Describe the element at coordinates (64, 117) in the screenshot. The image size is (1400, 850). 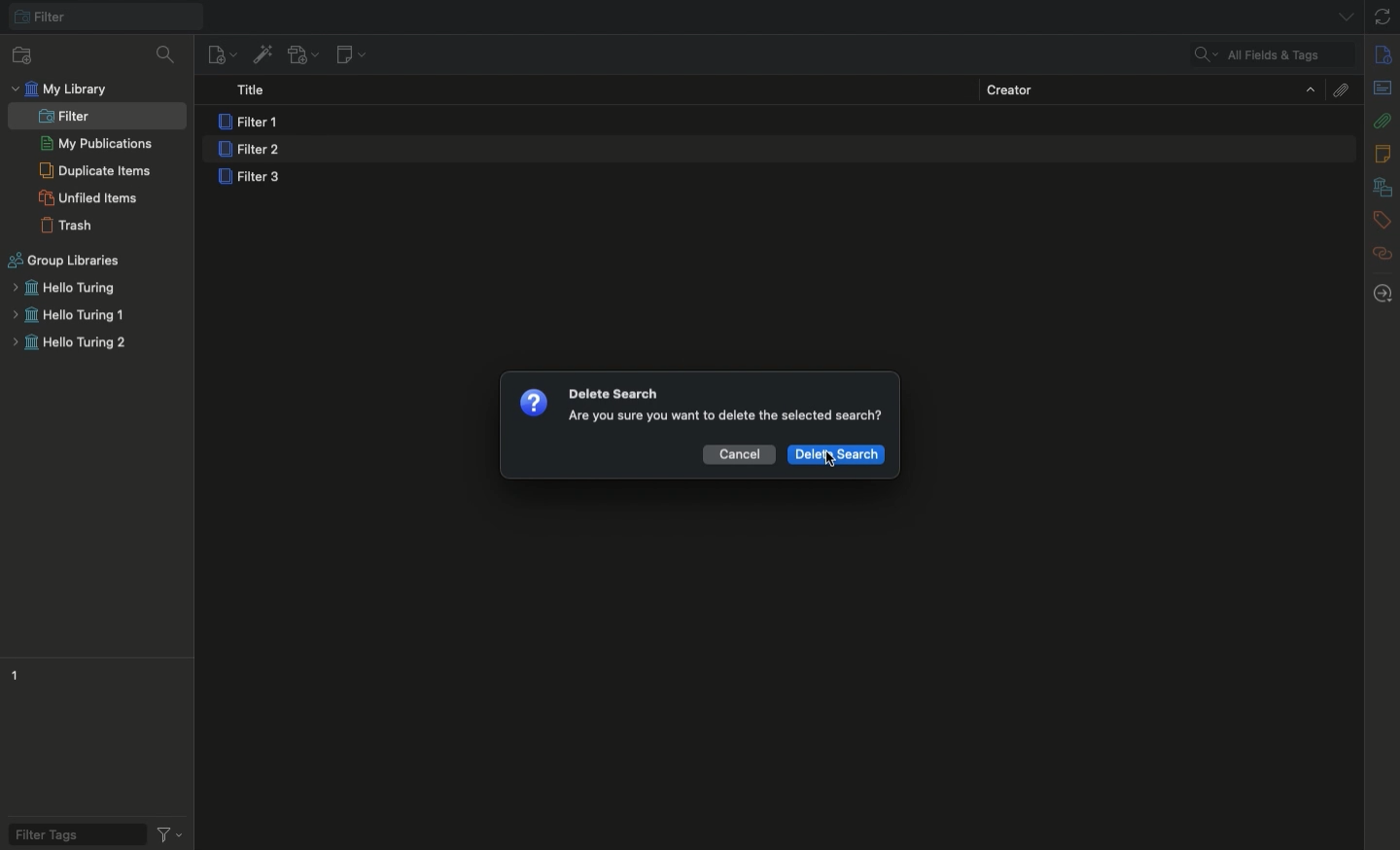
I see `Filter` at that location.